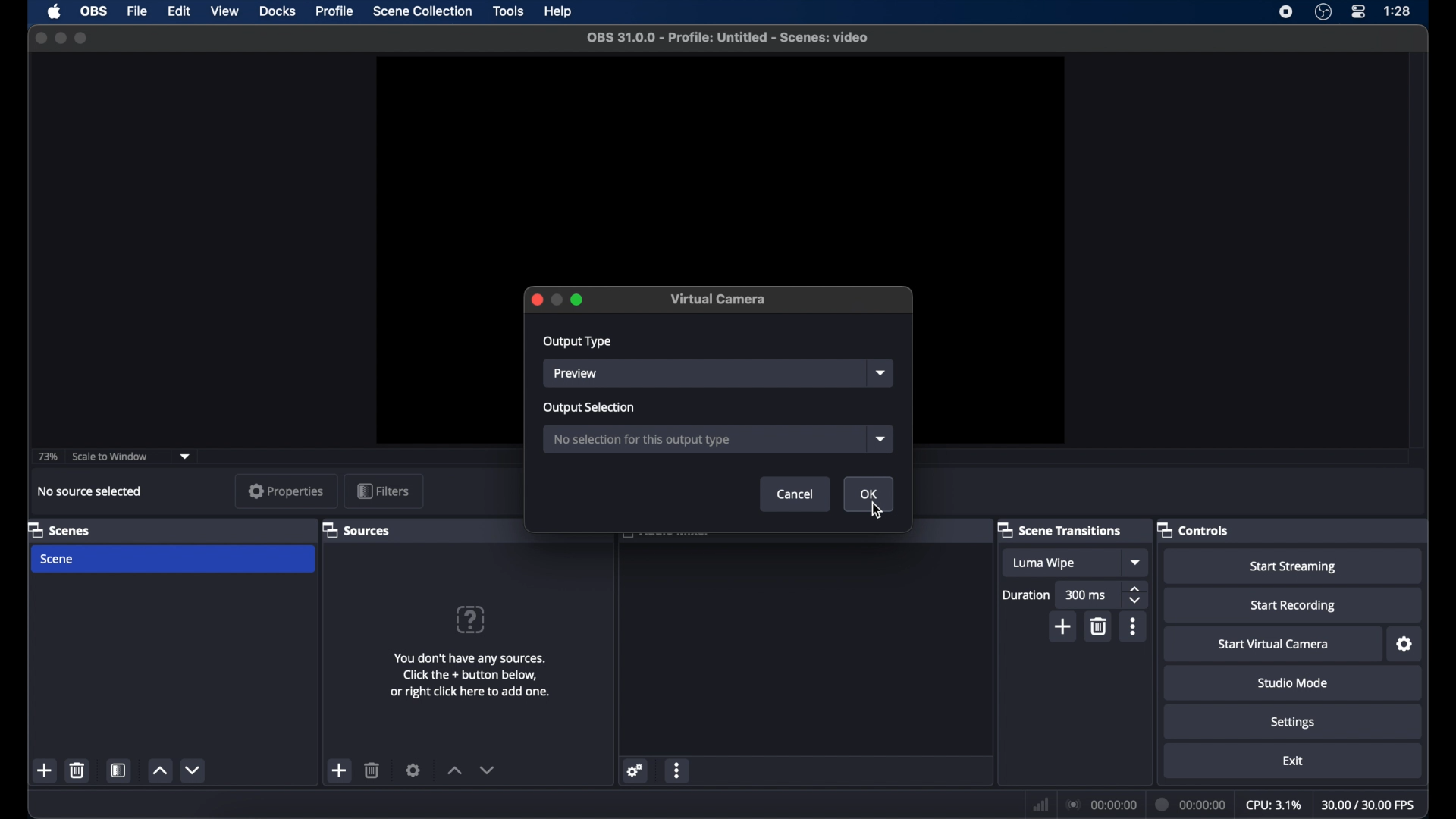  What do you see at coordinates (1369, 805) in the screenshot?
I see `fps` at bounding box center [1369, 805].